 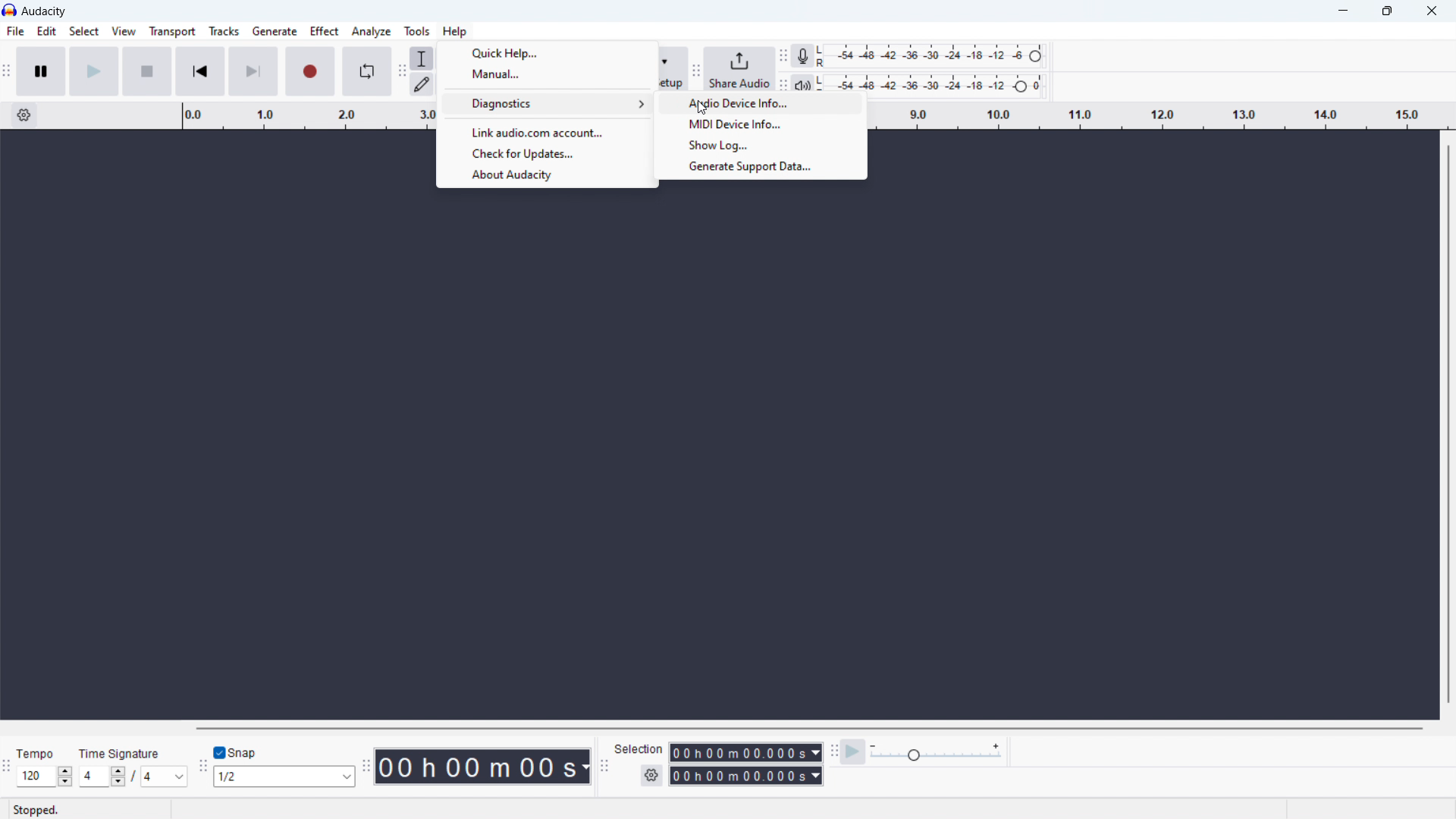 What do you see at coordinates (801, 56) in the screenshot?
I see `recording meter` at bounding box center [801, 56].